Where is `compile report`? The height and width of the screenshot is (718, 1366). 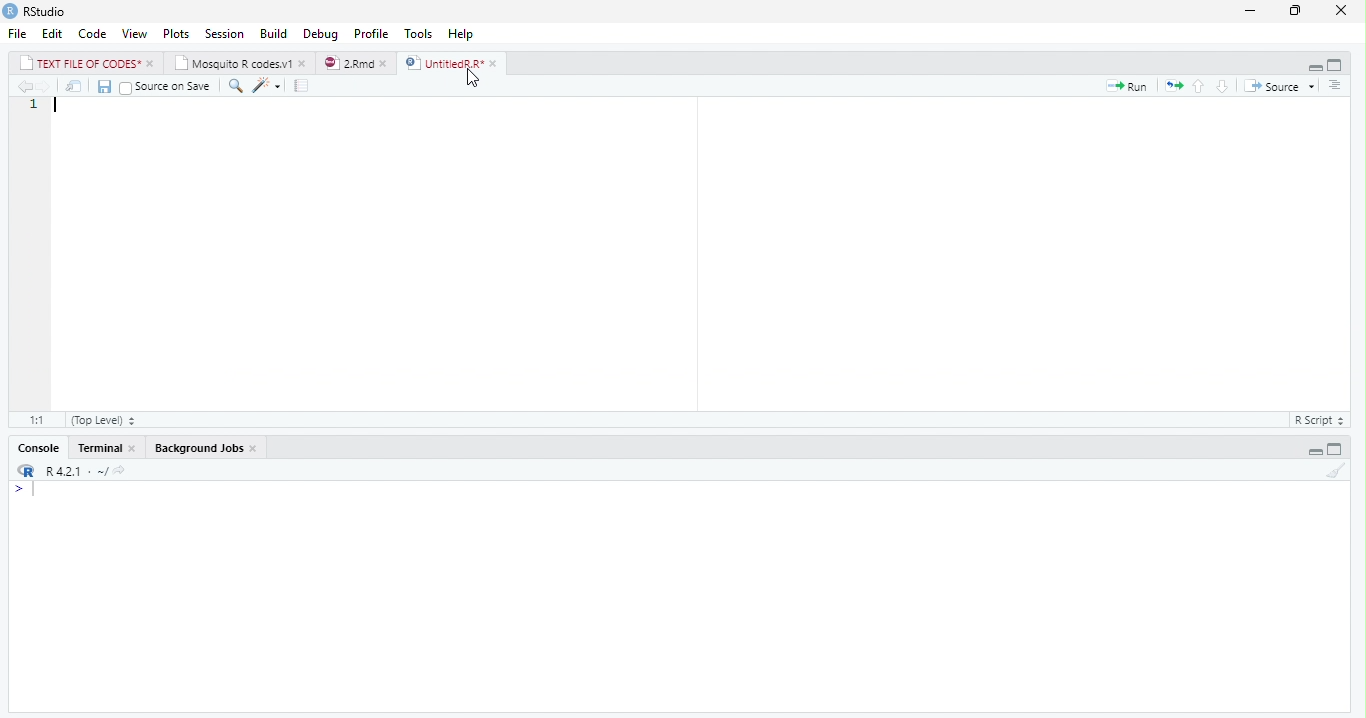 compile report is located at coordinates (304, 85).